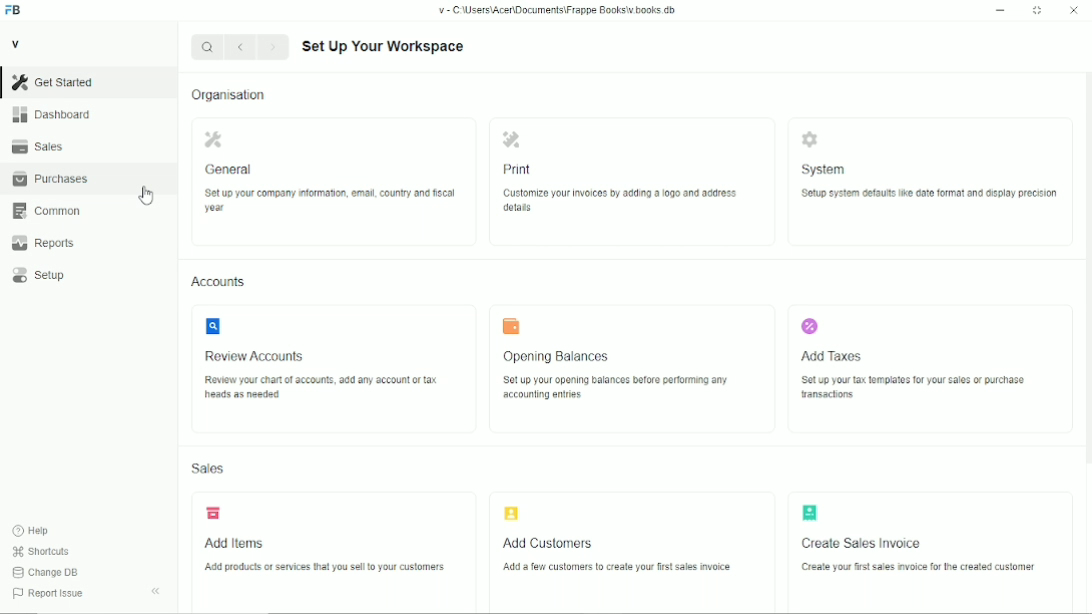 The height and width of the screenshot is (614, 1092). Describe the element at coordinates (904, 566) in the screenshot. I see `Create your frst saies rvorce for Pe Created customer` at that location.